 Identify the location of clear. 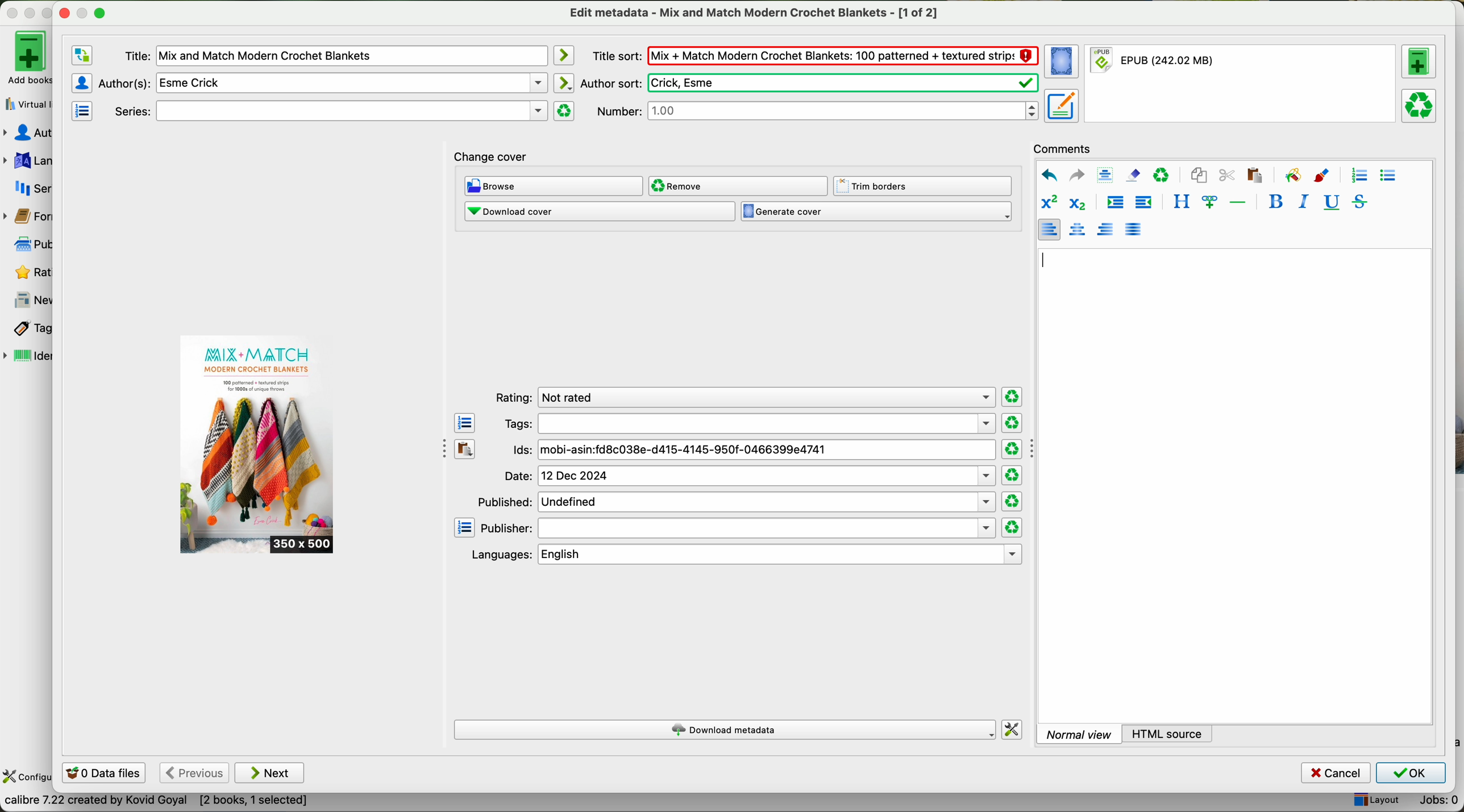
(1162, 176).